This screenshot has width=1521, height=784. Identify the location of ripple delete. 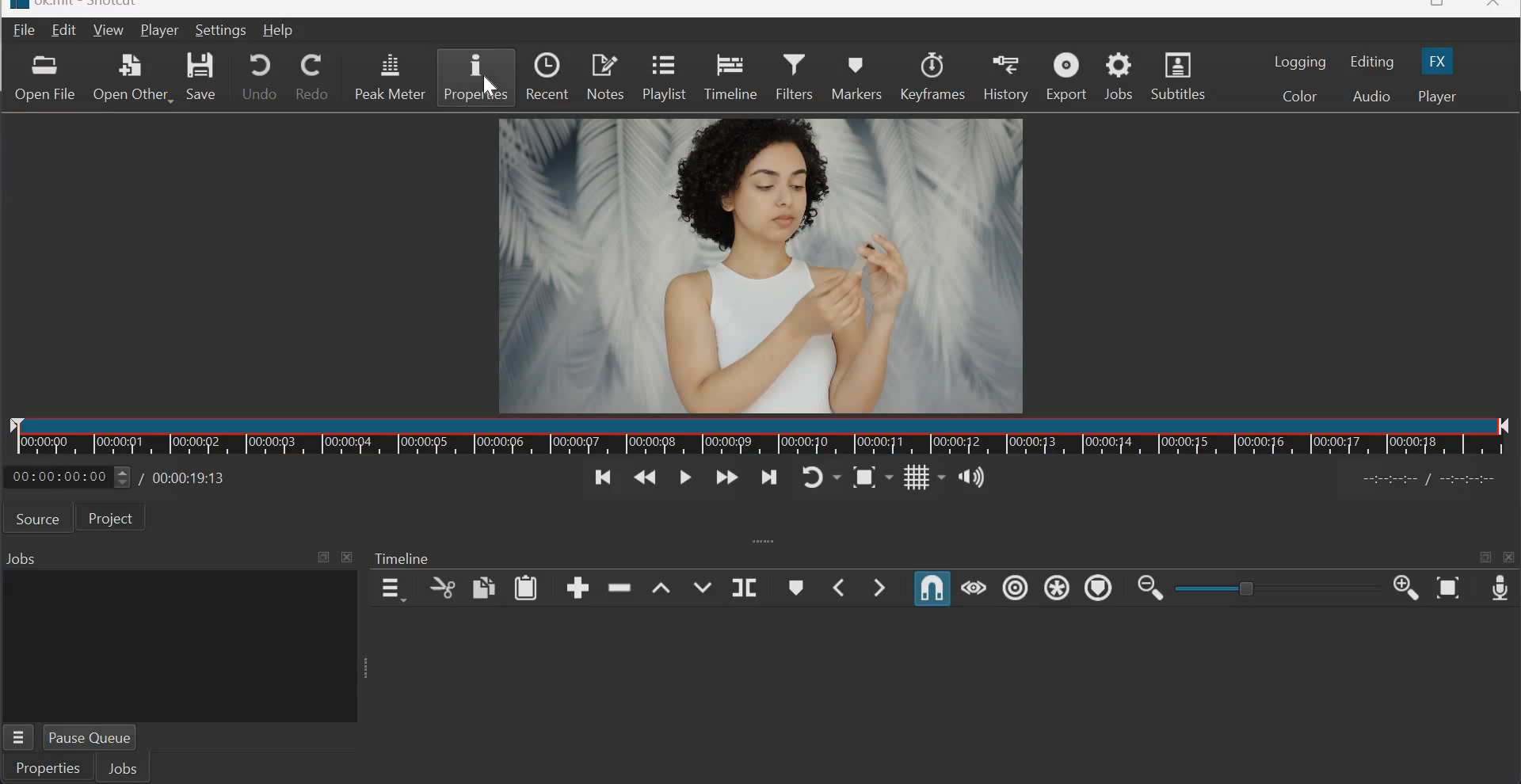
(621, 588).